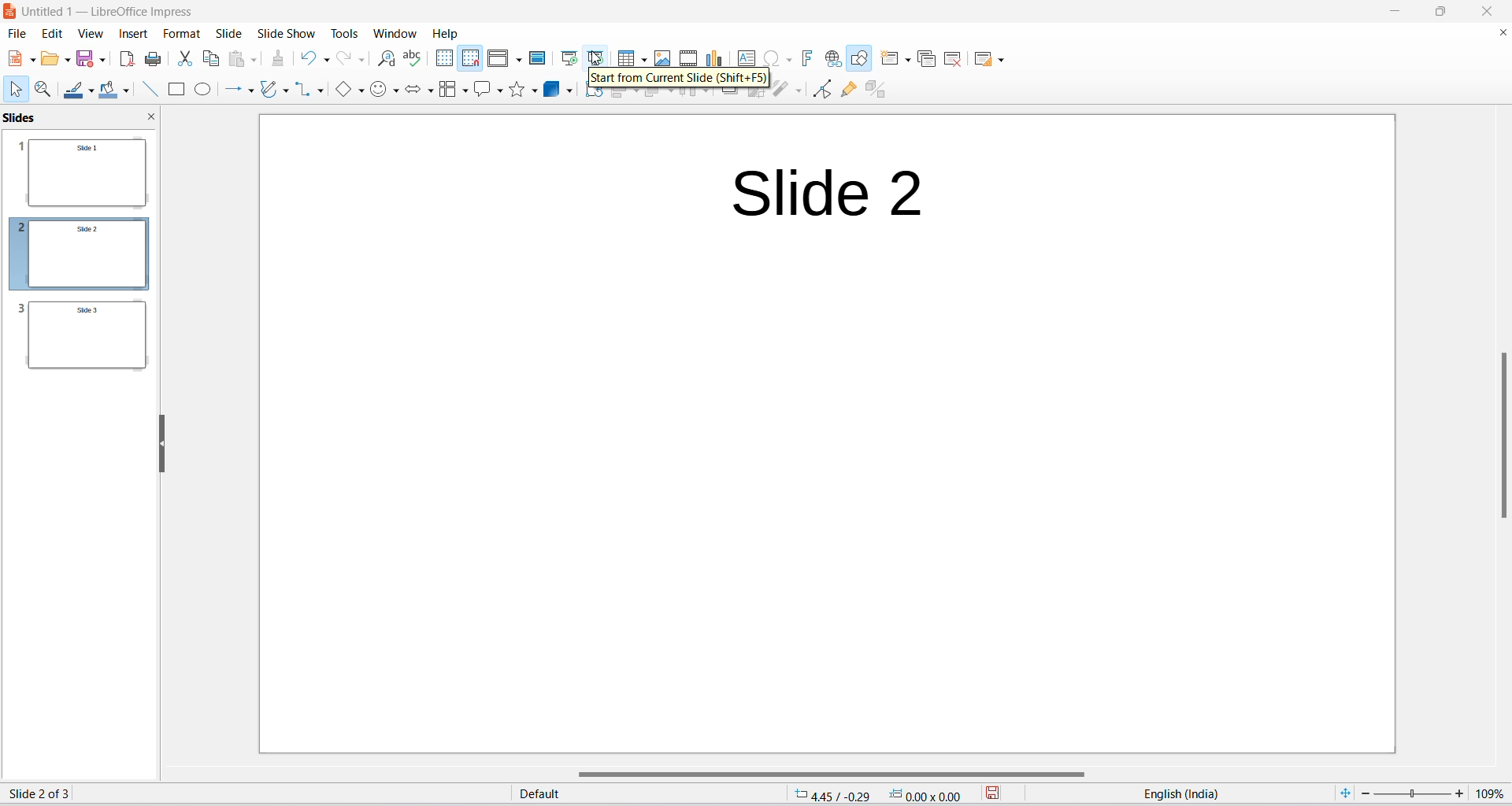 The image size is (1512, 806). What do you see at coordinates (125, 91) in the screenshot?
I see `fill color options` at bounding box center [125, 91].